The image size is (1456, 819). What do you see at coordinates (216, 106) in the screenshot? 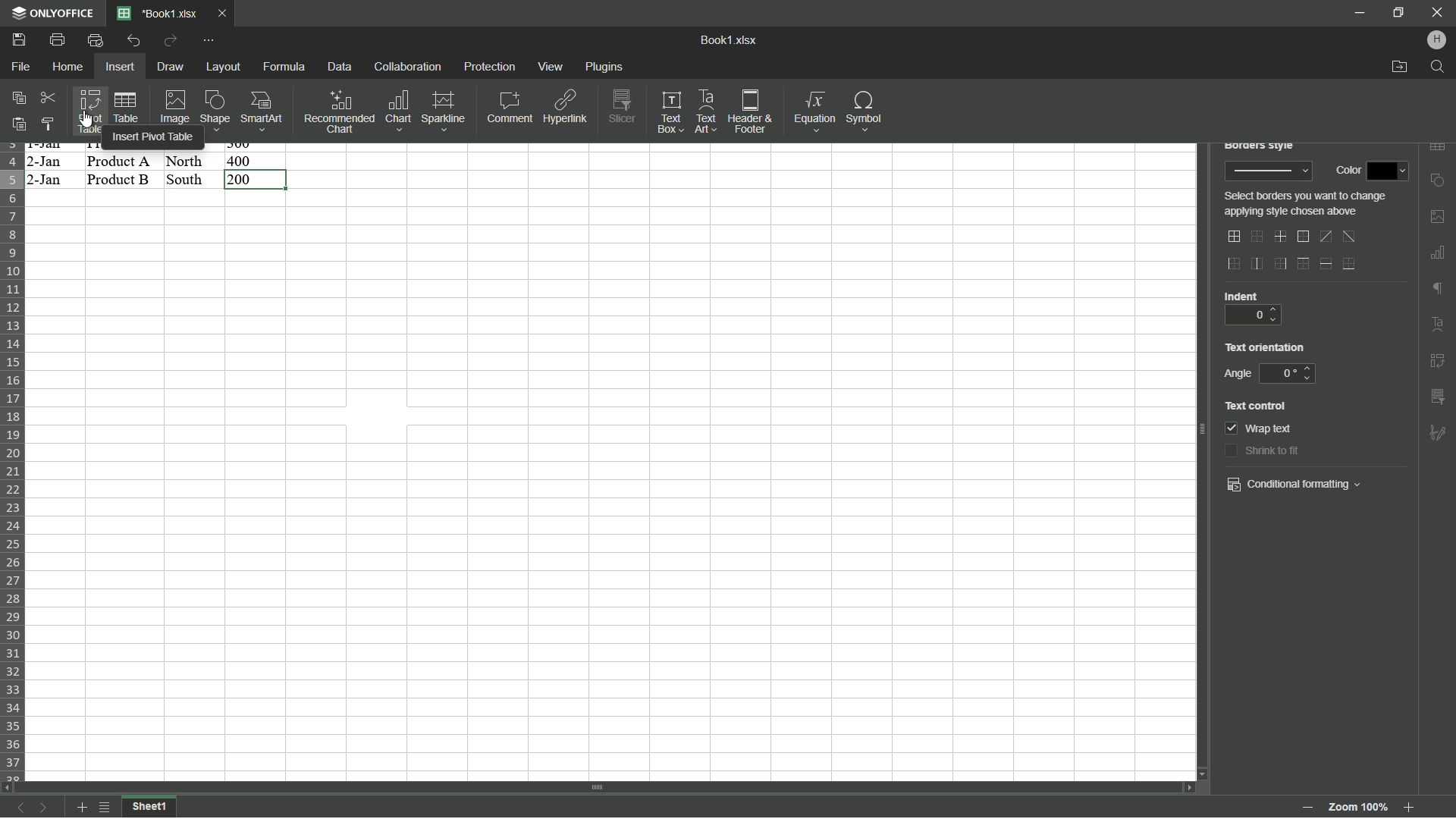
I see `Shape` at bounding box center [216, 106].